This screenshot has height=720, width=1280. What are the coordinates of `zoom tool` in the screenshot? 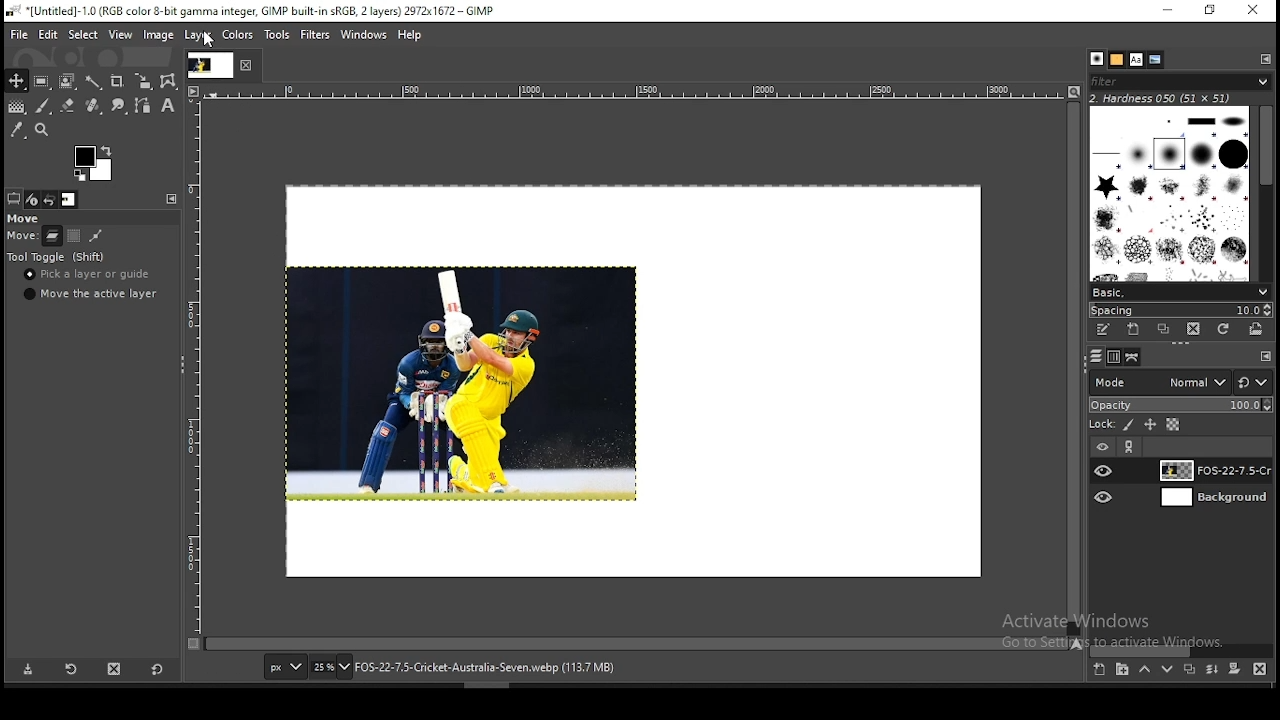 It's located at (44, 129).